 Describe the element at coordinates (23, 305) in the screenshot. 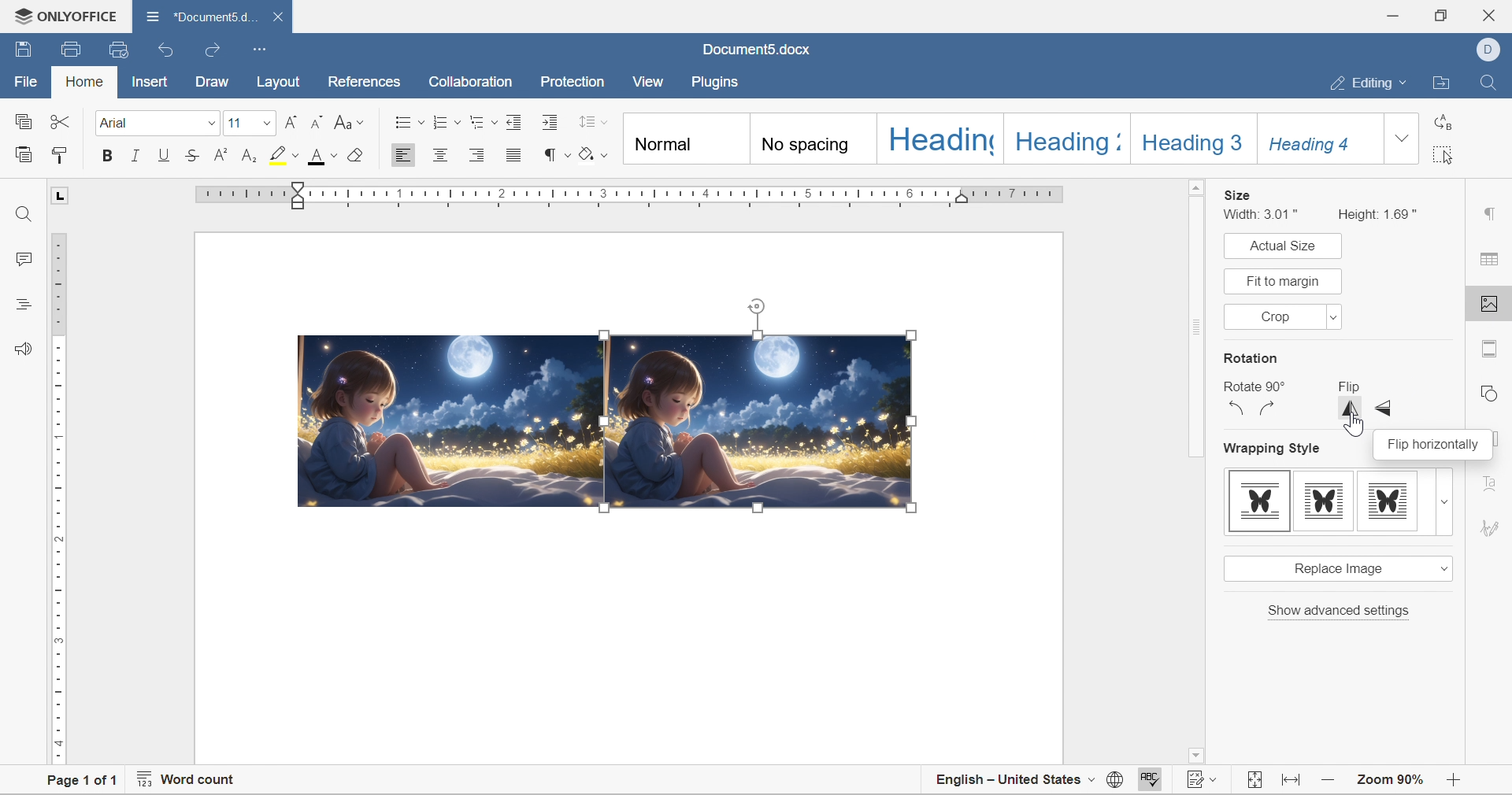

I see `headings` at that location.